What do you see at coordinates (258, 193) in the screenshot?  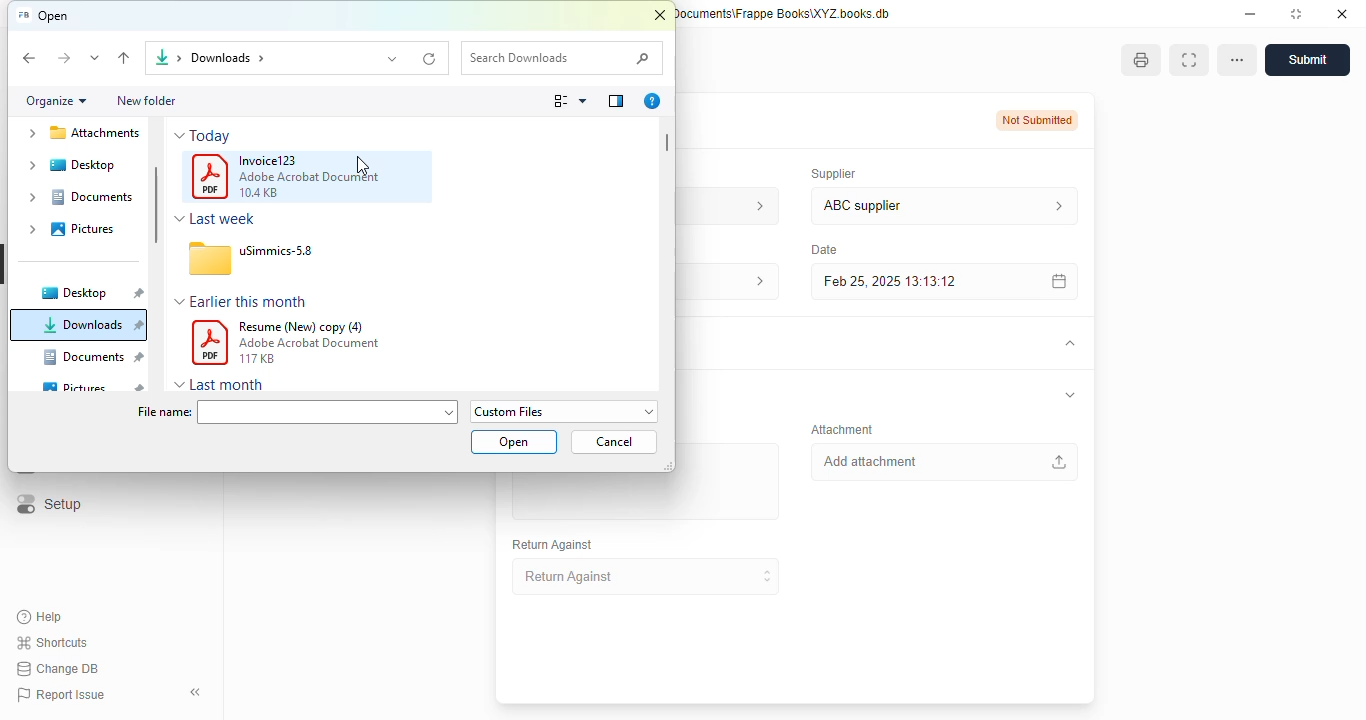 I see `10.4 KB` at bounding box center [258, 193].